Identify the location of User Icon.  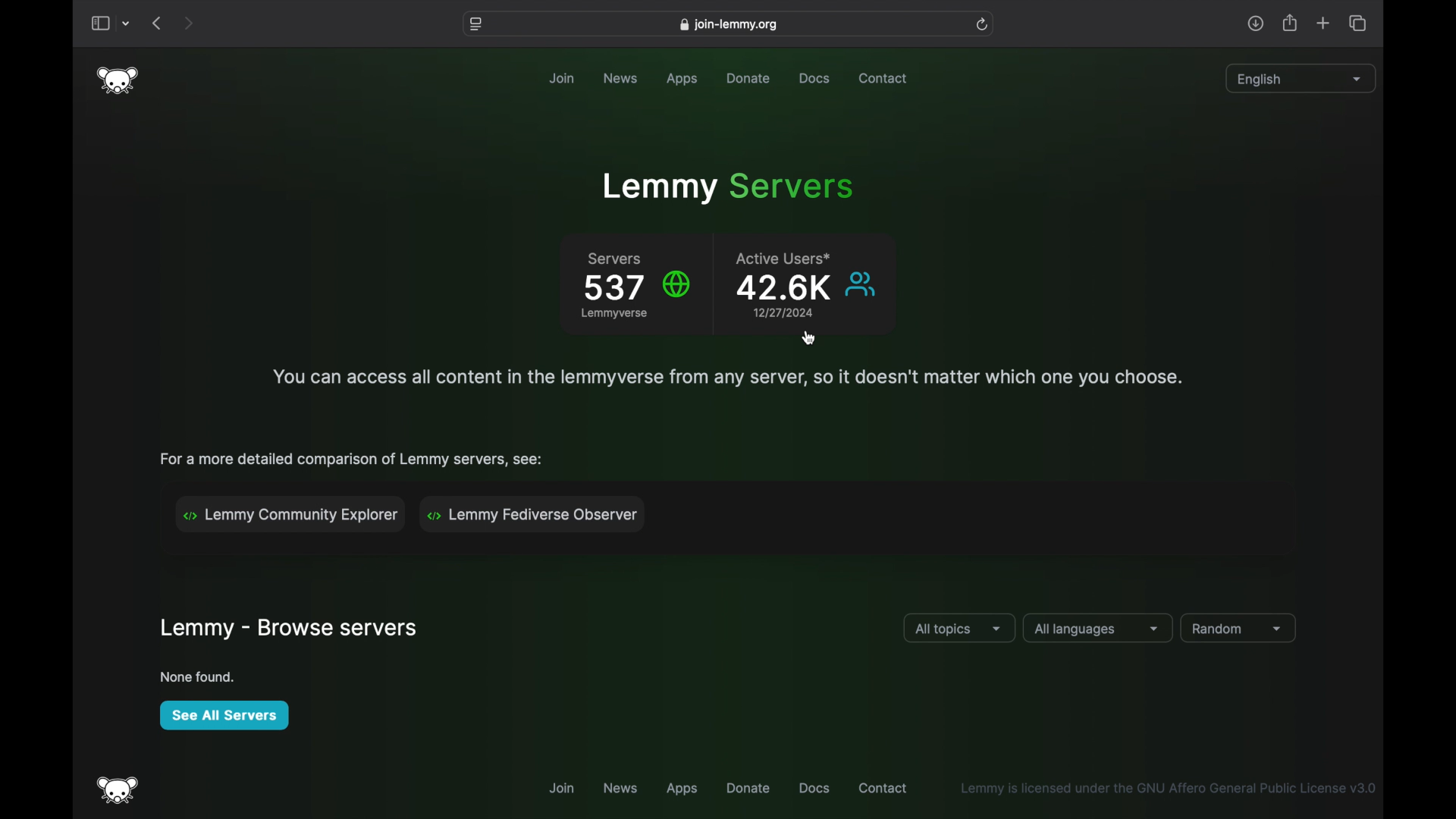
(863, 284).